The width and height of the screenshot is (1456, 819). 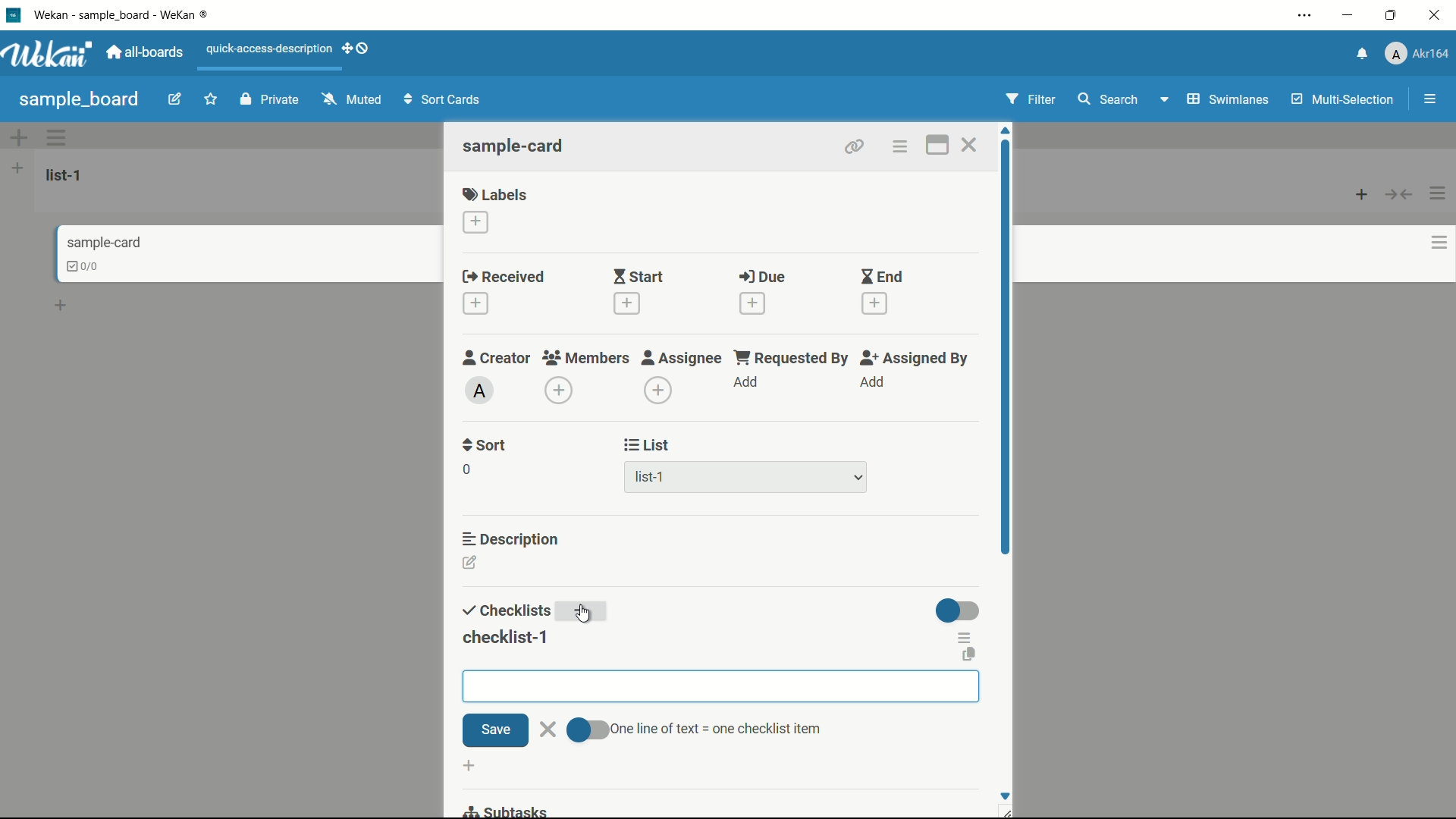 What do you see at coordinates (67, 174) in the screenshot?
I see `list-1` at bounding box center [67, 174].